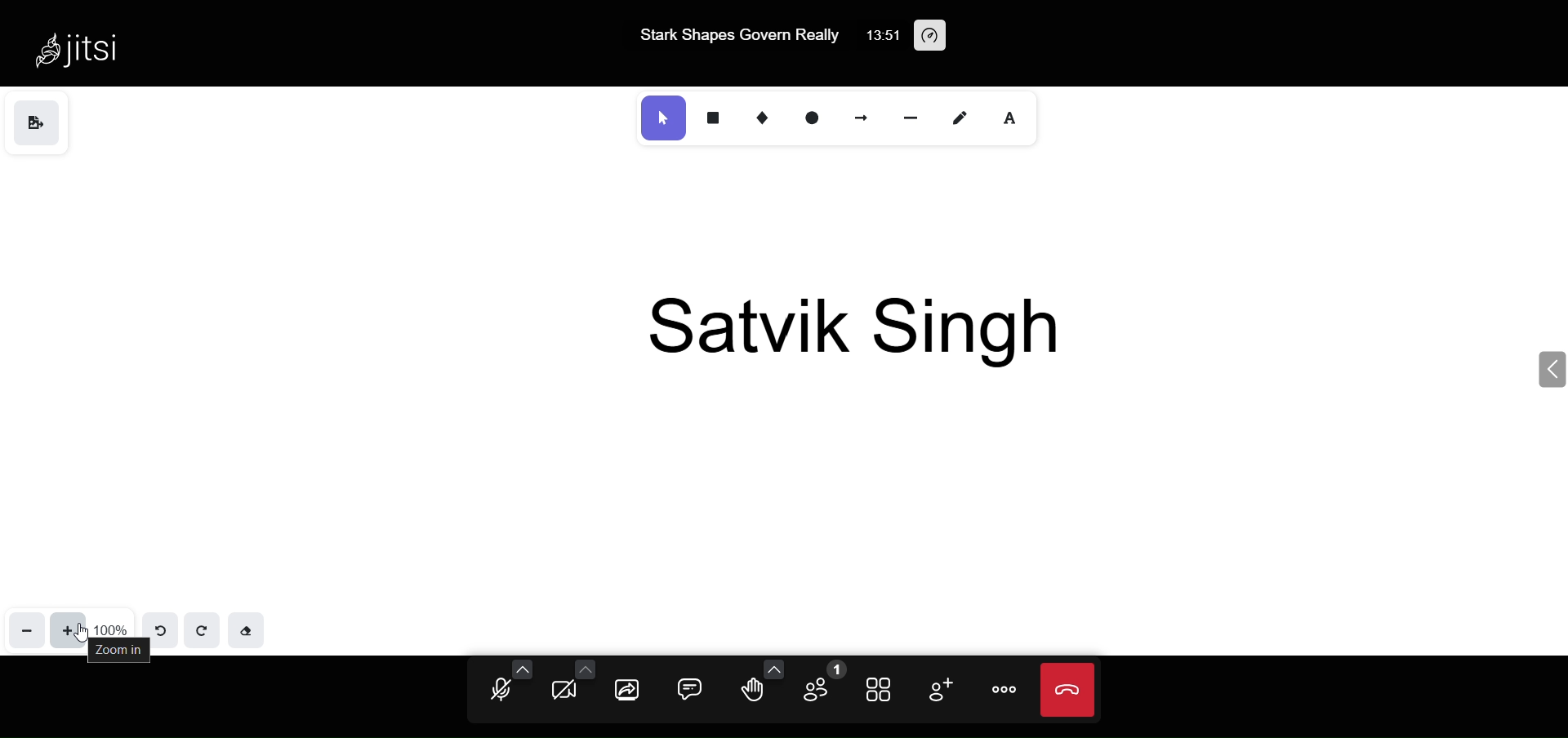  Describe the element at coordinates (910, 118) in the screenshot. I see `line` at that location.